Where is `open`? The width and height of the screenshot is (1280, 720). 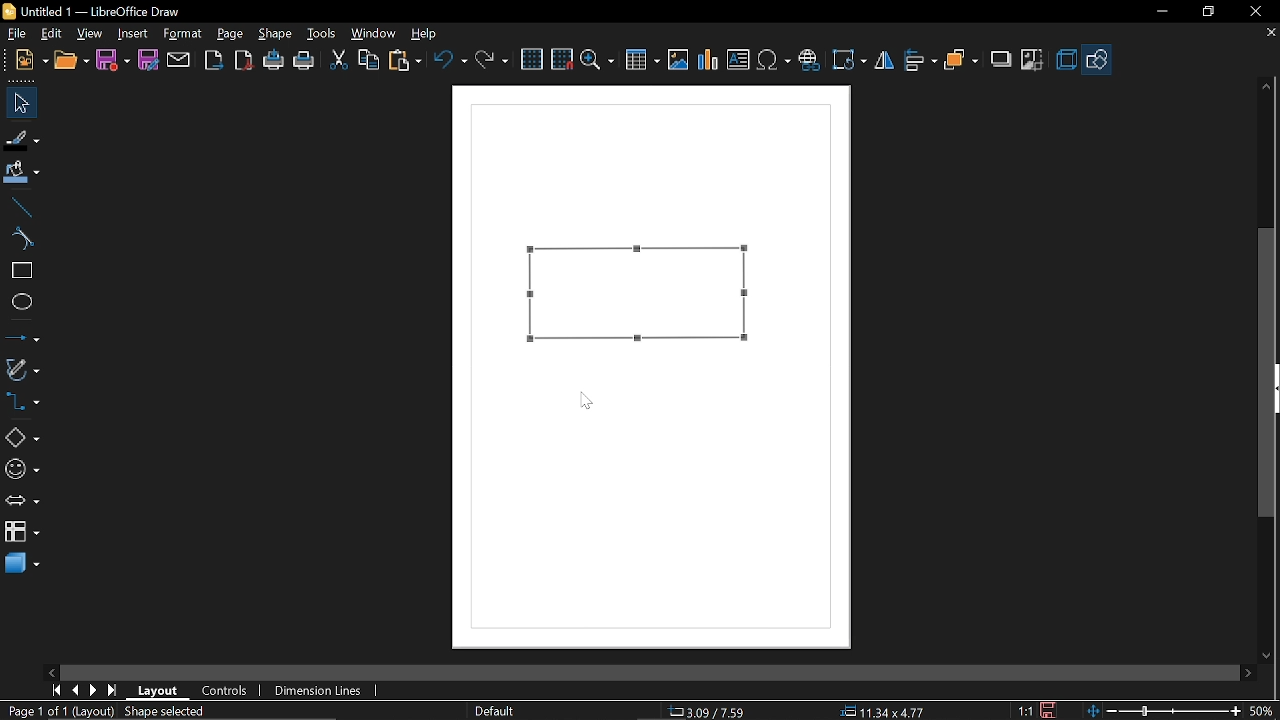
open is located at coordinates (72, 58).